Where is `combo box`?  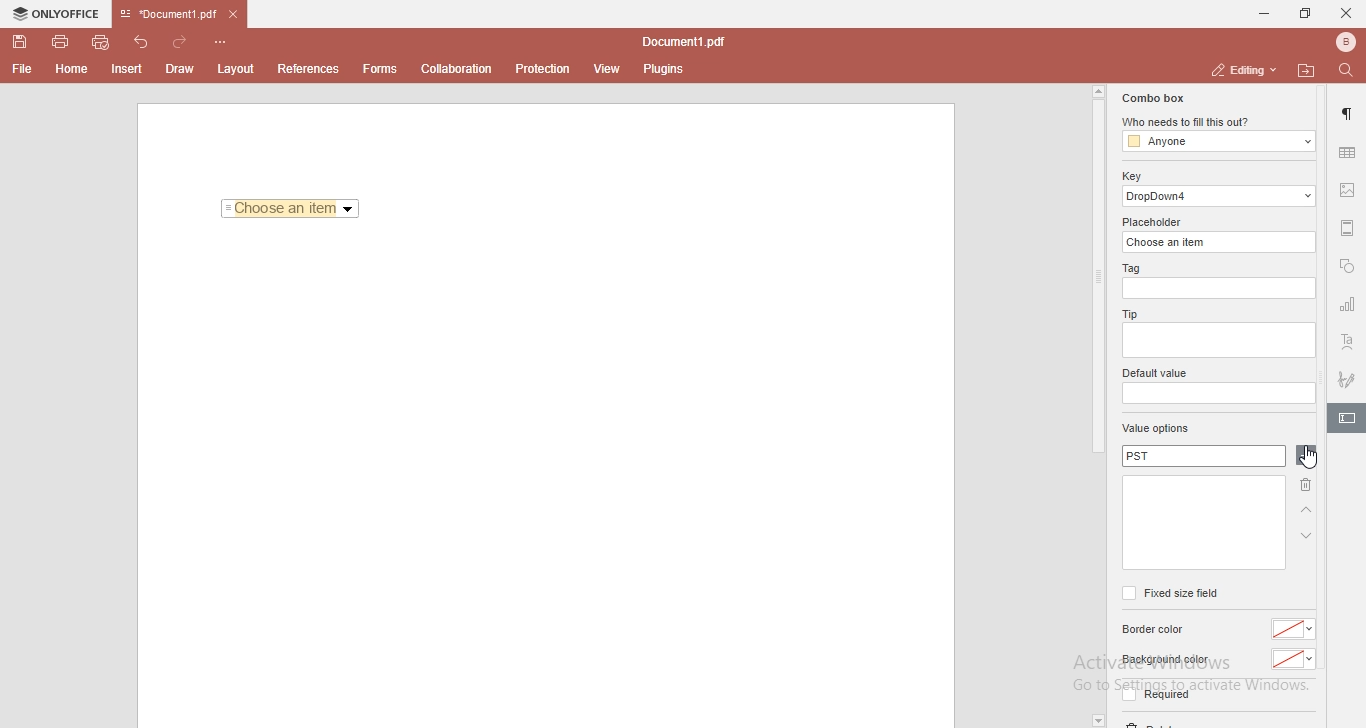
combo box is located at coordinates (1151, 98).